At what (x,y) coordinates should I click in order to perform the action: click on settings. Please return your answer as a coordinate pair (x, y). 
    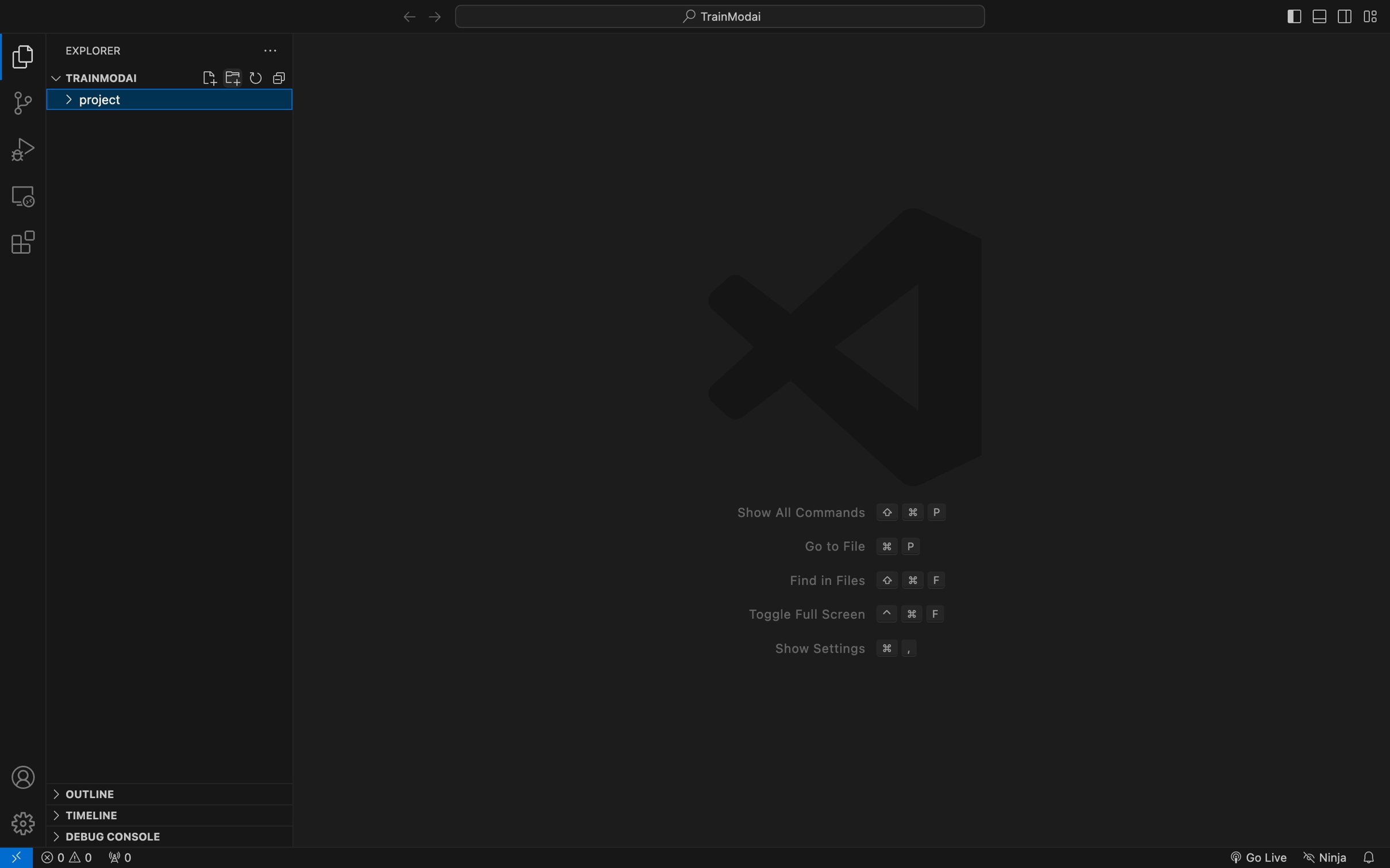
    Looking at the image, I should click on (26, 821).